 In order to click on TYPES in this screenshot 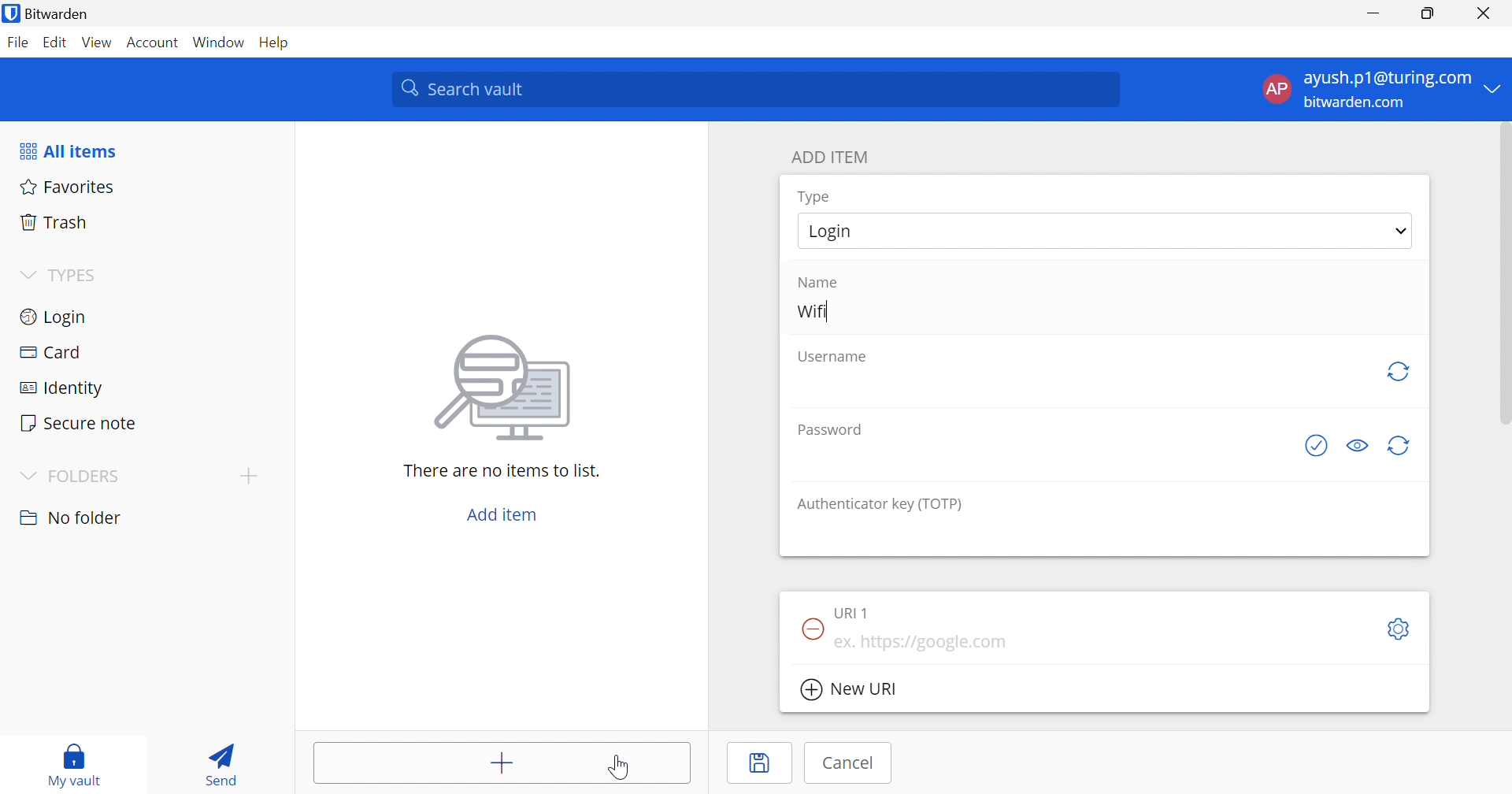, I will do `click(76, 278)`.